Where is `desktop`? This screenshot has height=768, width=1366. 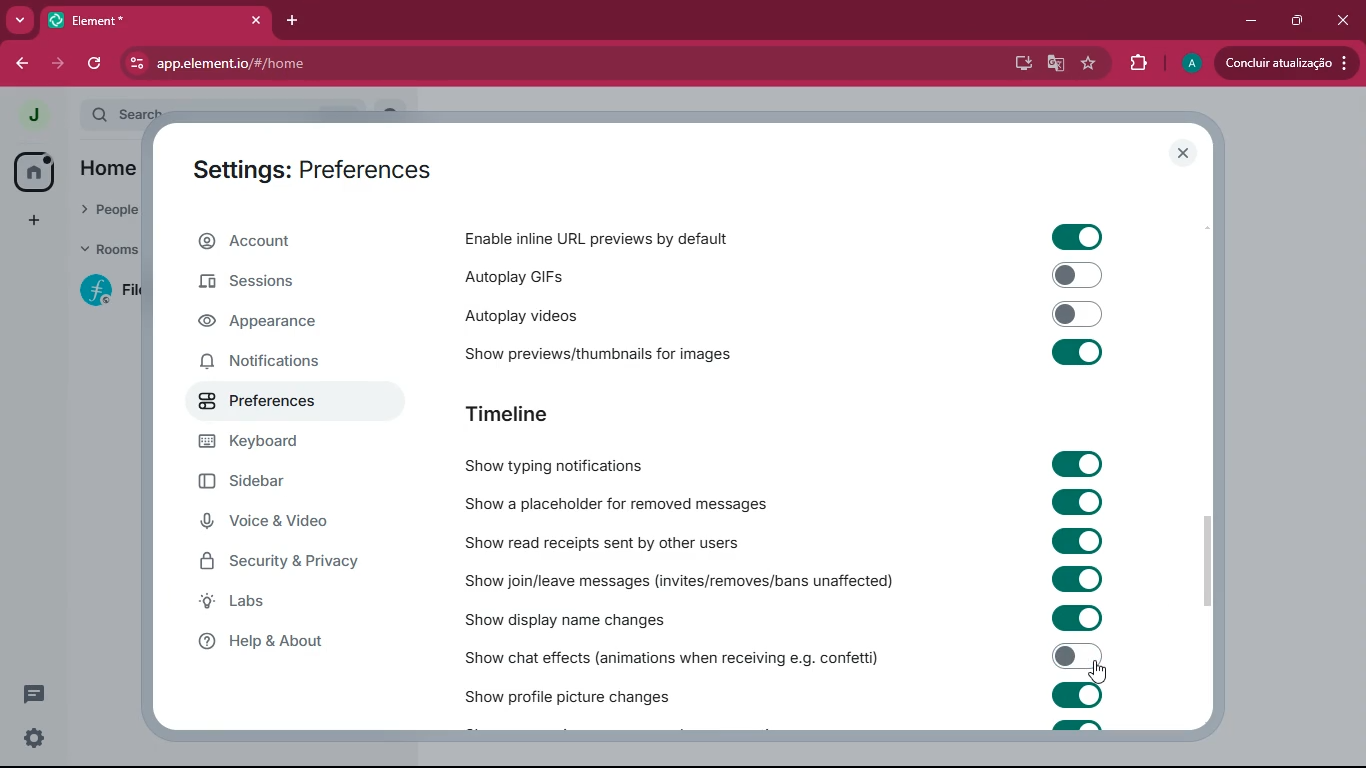 desktop is located at coordinates (1018, 64).